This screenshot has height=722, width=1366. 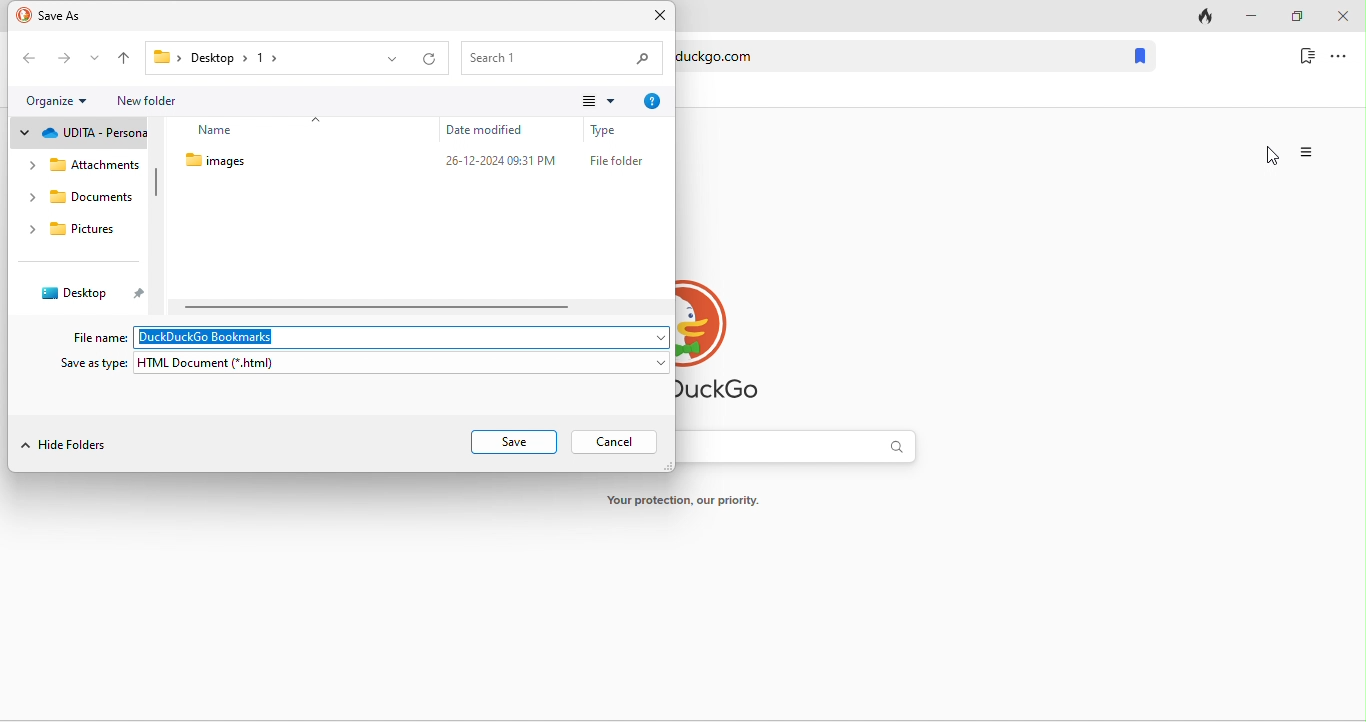 What do you see at coordinates (431, 60) in the screenshot?
I see `refresh` at bounding box center [431, 60].